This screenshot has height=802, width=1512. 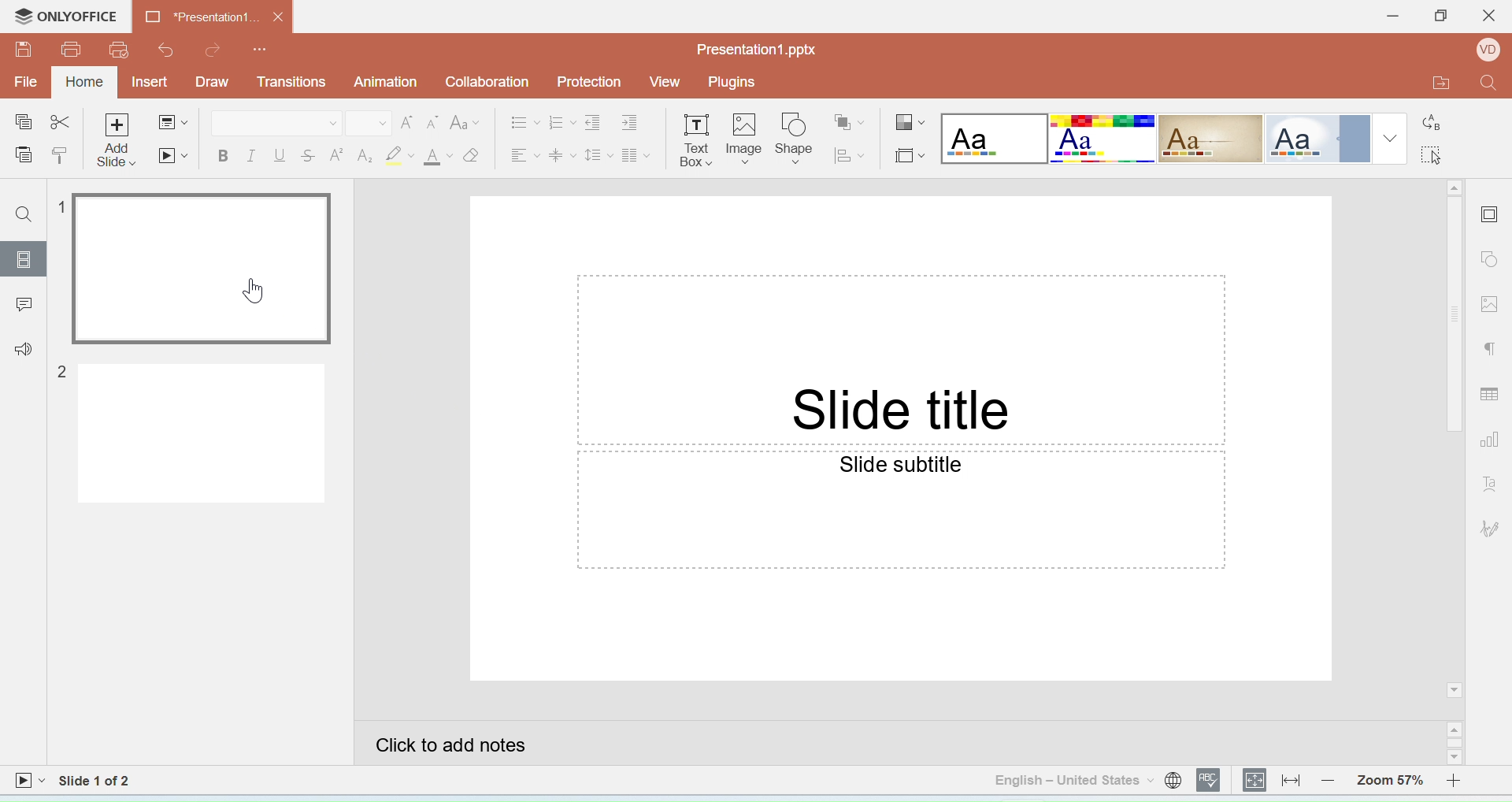 I want to click on Increment font size, so click(x=406, y=123).